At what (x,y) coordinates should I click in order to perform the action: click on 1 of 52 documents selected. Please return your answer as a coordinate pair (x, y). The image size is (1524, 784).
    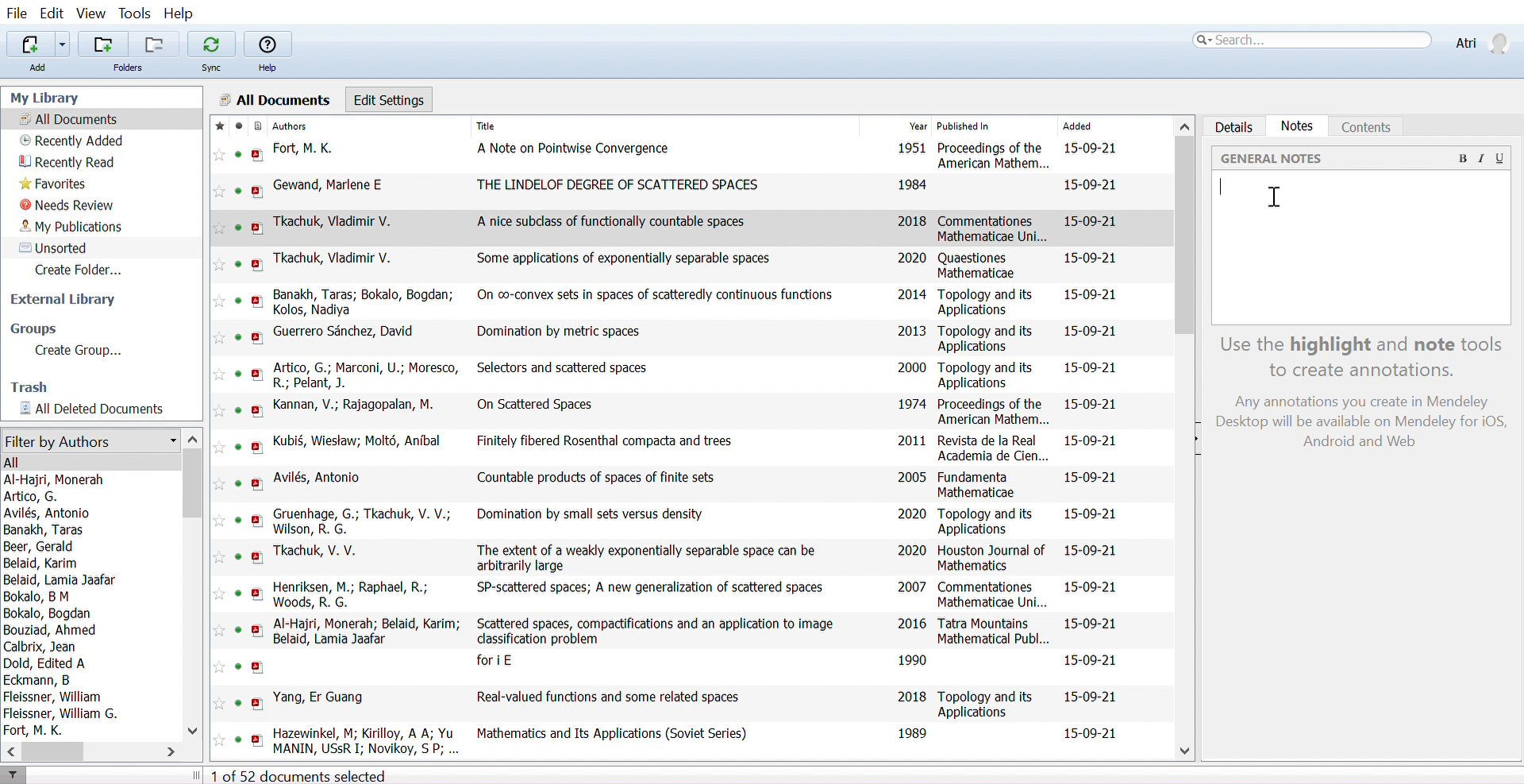
    Looking at the image, I should click on (307, 774).